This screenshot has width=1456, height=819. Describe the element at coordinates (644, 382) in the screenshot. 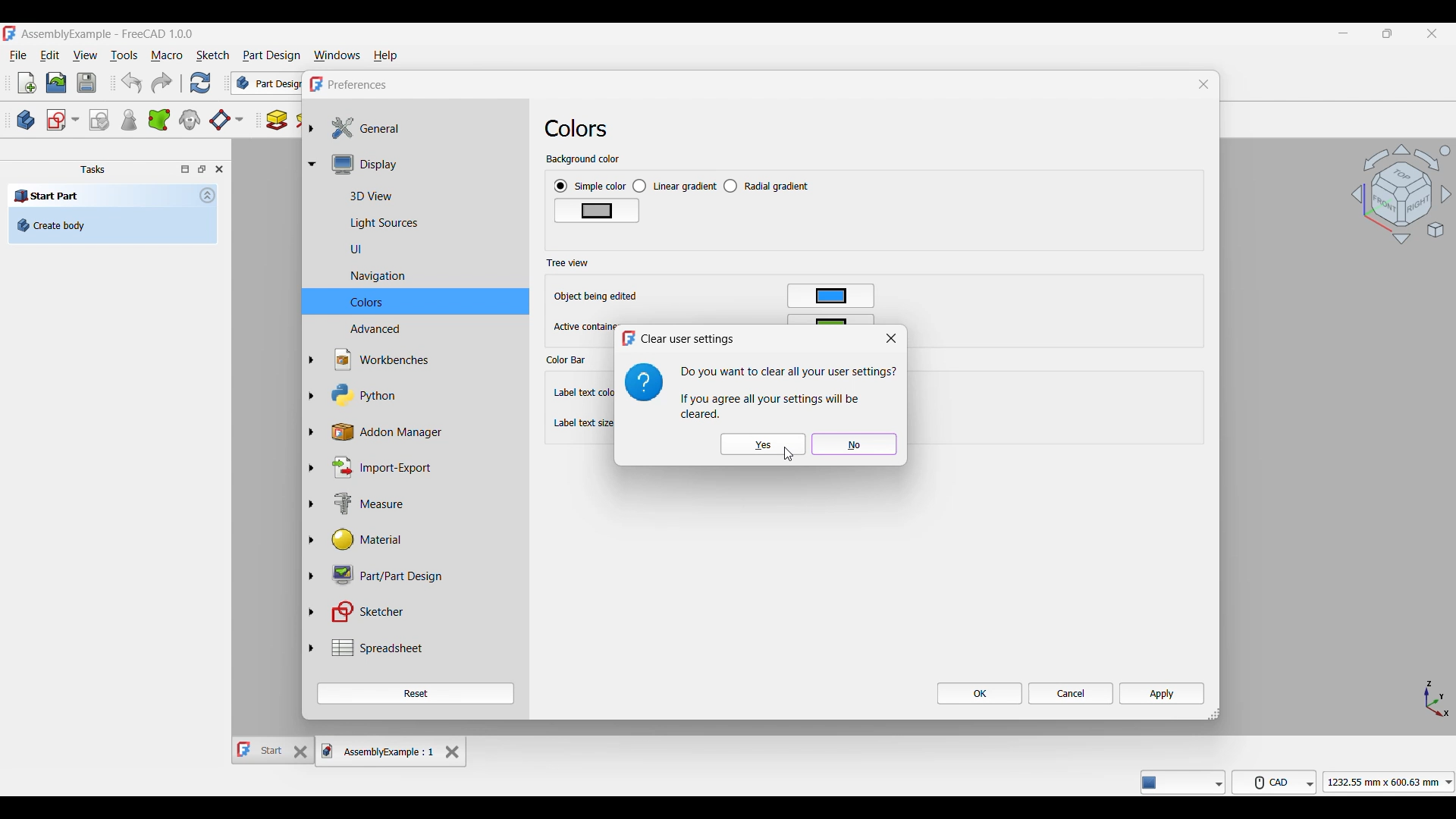

I see `Logo referring to window text` at that location.